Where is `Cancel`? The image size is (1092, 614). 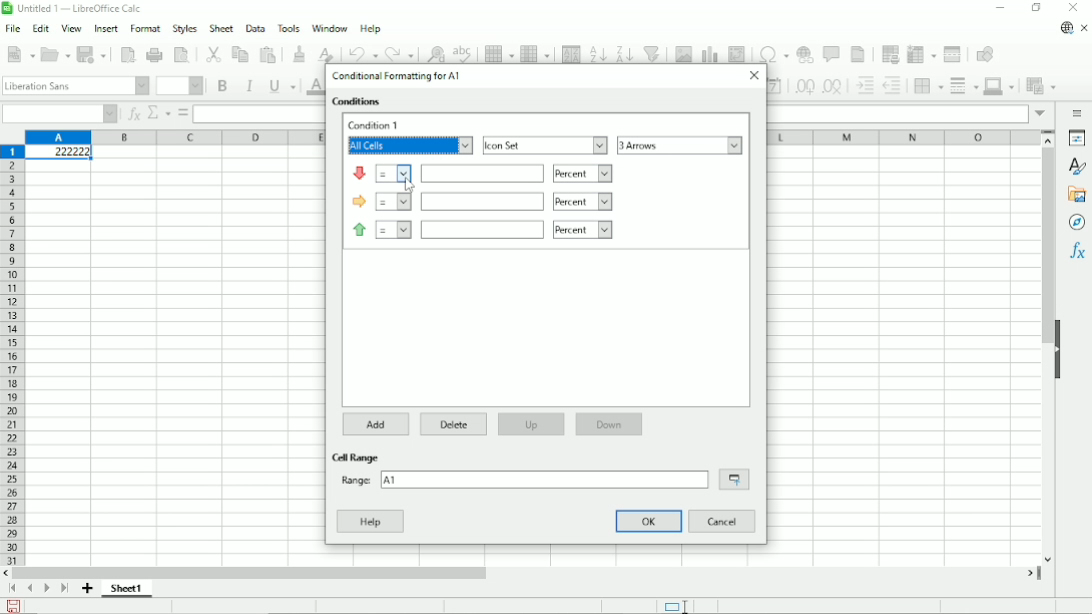 Cancel is located at coordinates (723, 522).